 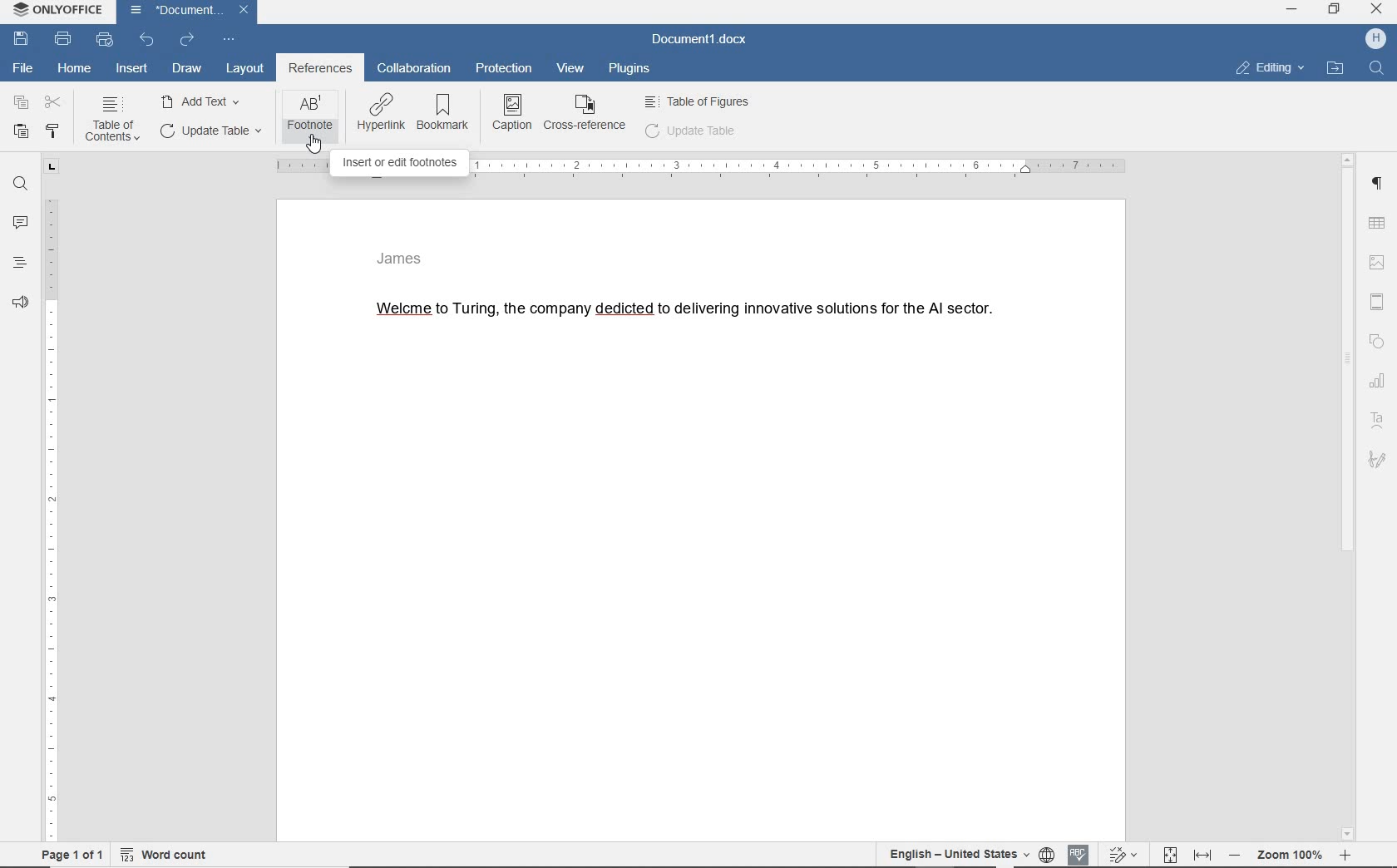 What do you see at coordinates (1379, 421) in the screenshot?
I see `TEXT ART` at bounding box center [1379, 421].